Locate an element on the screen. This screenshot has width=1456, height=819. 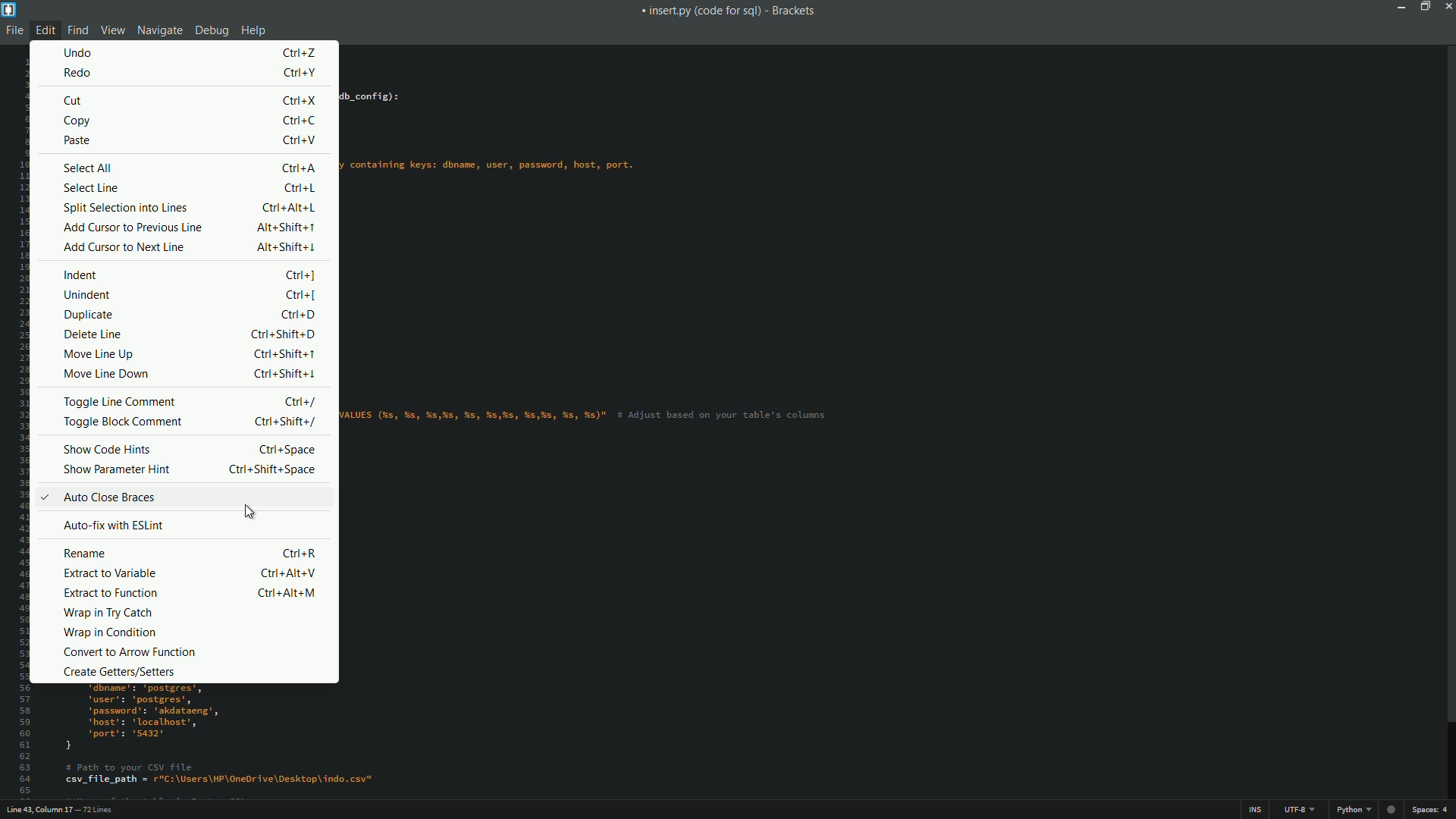
view menu is located at coordinates (111, 30).